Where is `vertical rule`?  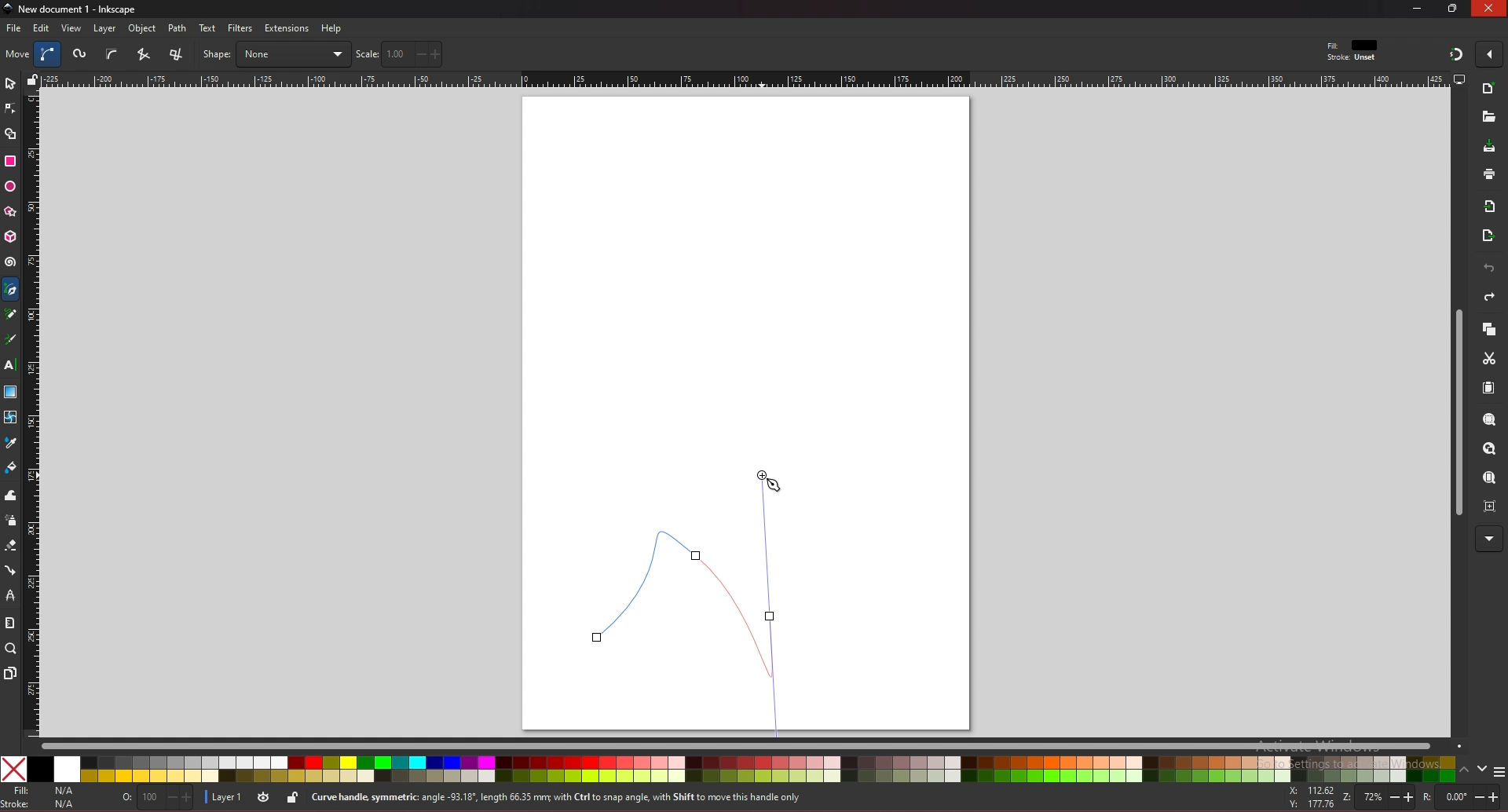
vertical rule is located at coordinates (31, 415).